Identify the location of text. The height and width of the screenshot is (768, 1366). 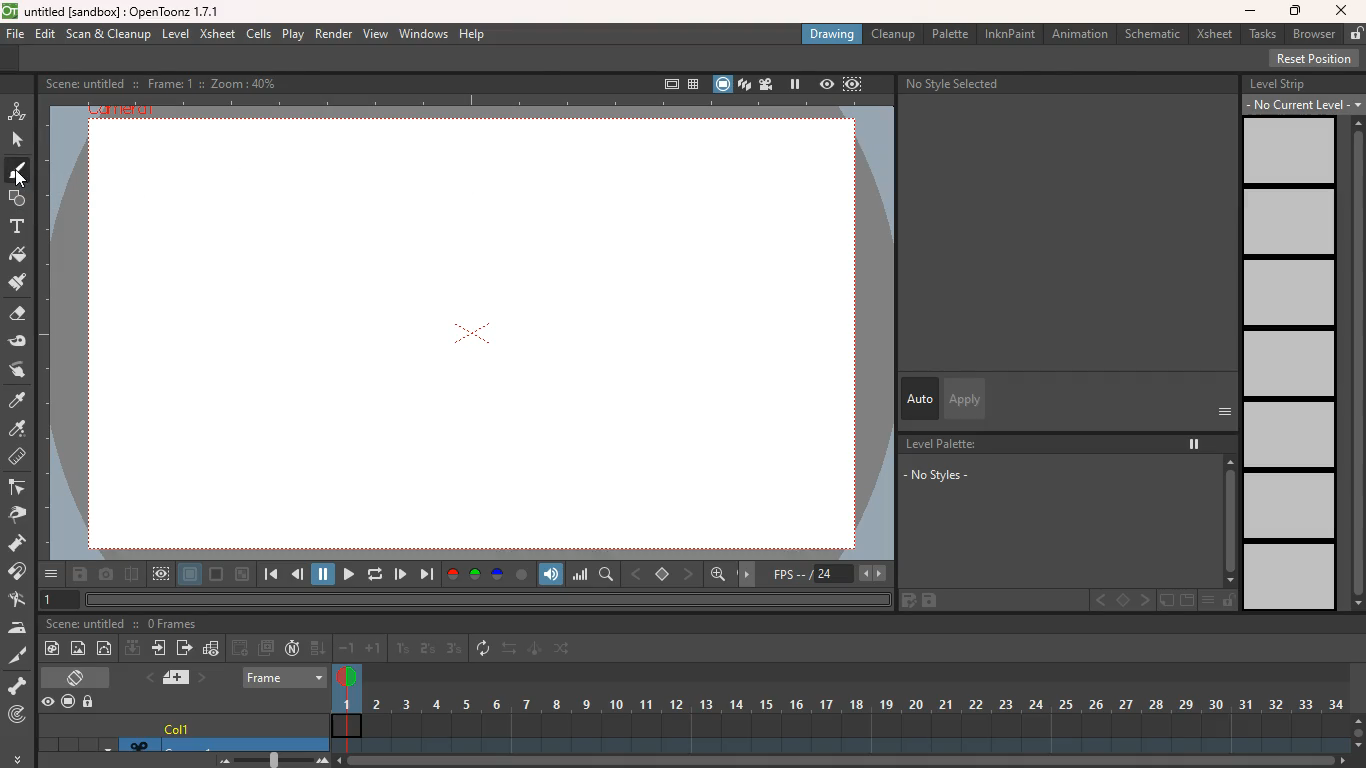
(17, 228).